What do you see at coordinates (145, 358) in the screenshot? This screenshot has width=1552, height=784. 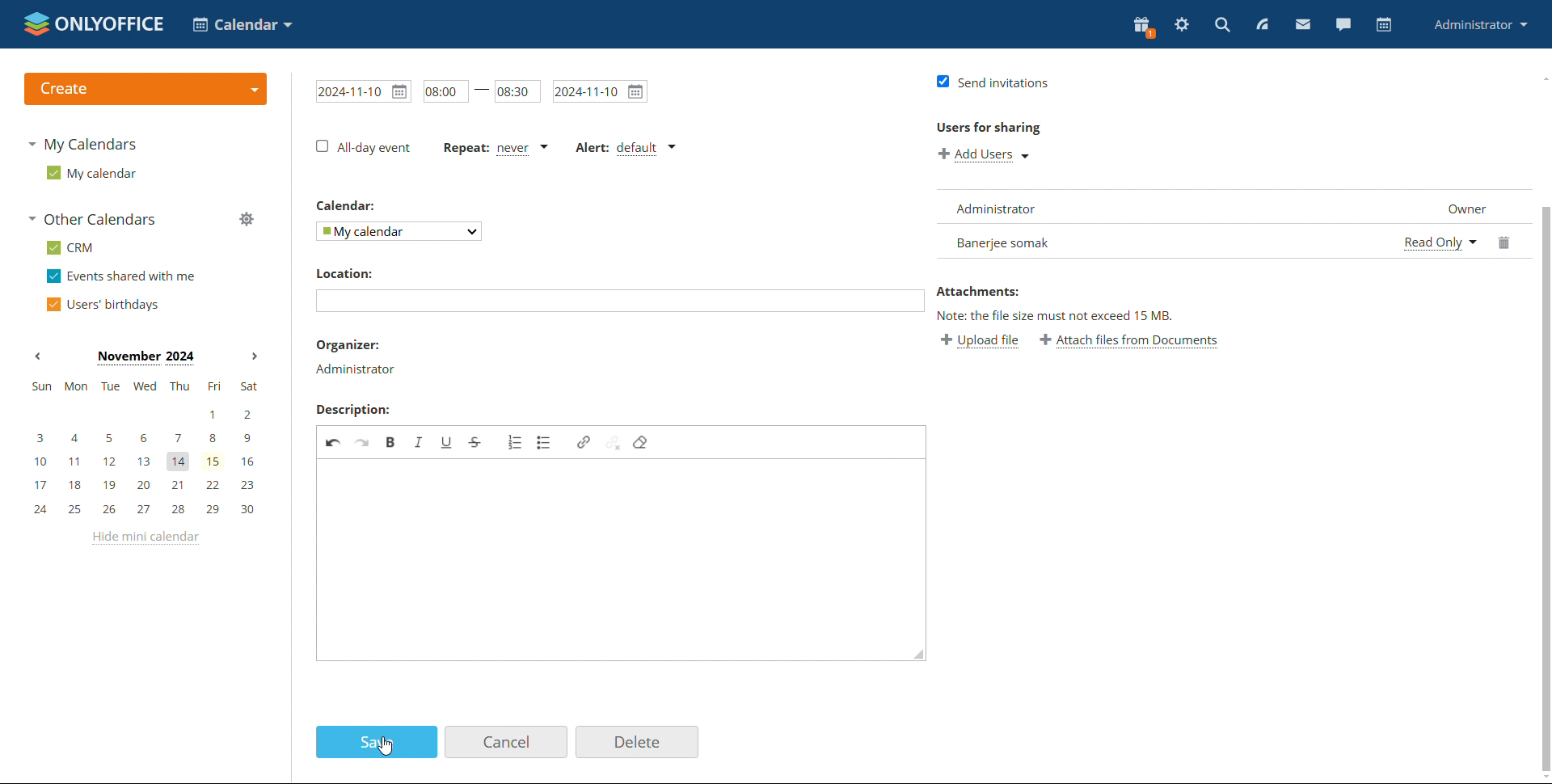 I see `current month` at bounding box center [145, 358].